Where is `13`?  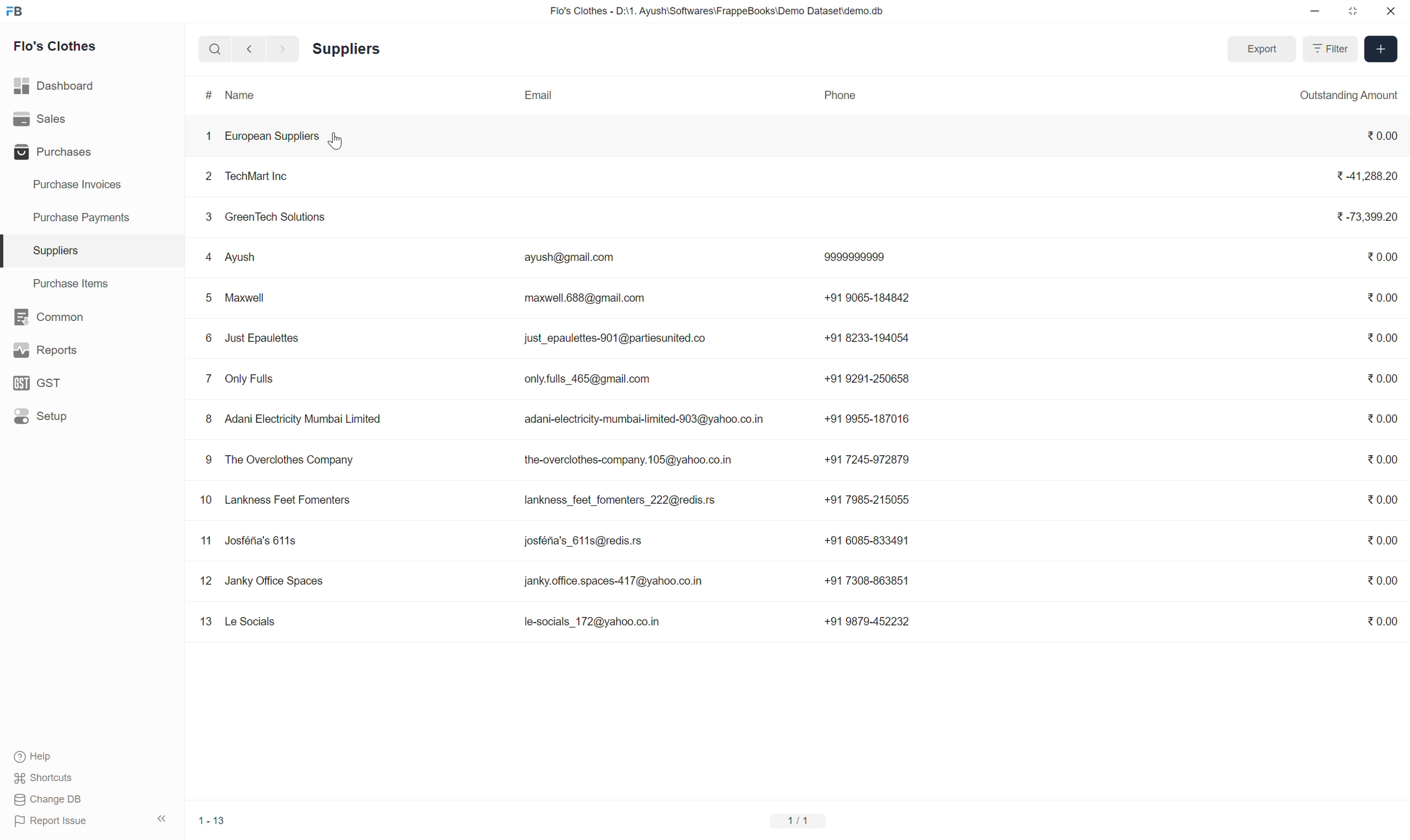
13 is located at coordinates (203, 620).